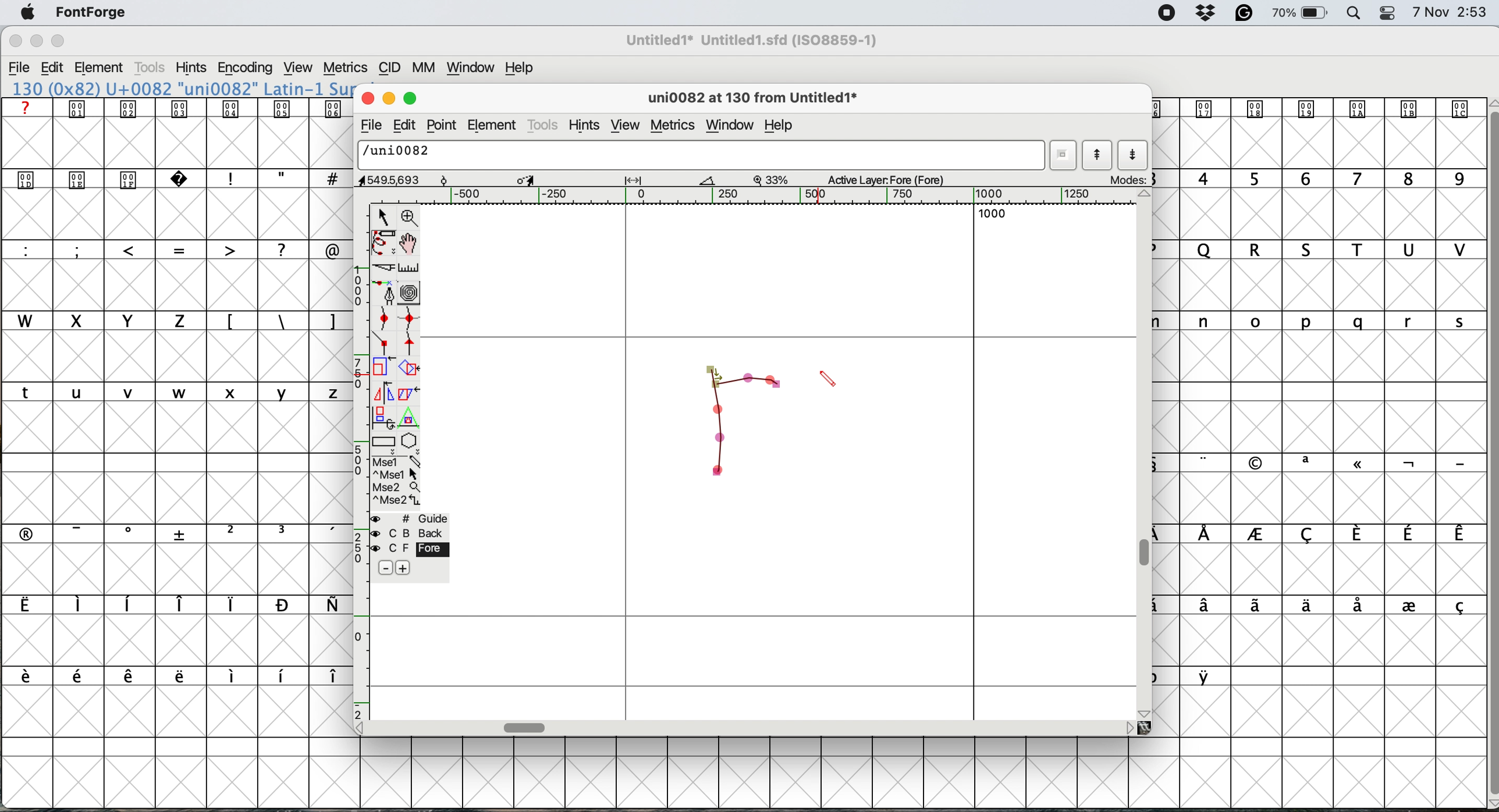  What do you see at coordinates (1148, 552) in the screenshot?
I see `vertical scroll bar` at bounding box center [1148, 552].